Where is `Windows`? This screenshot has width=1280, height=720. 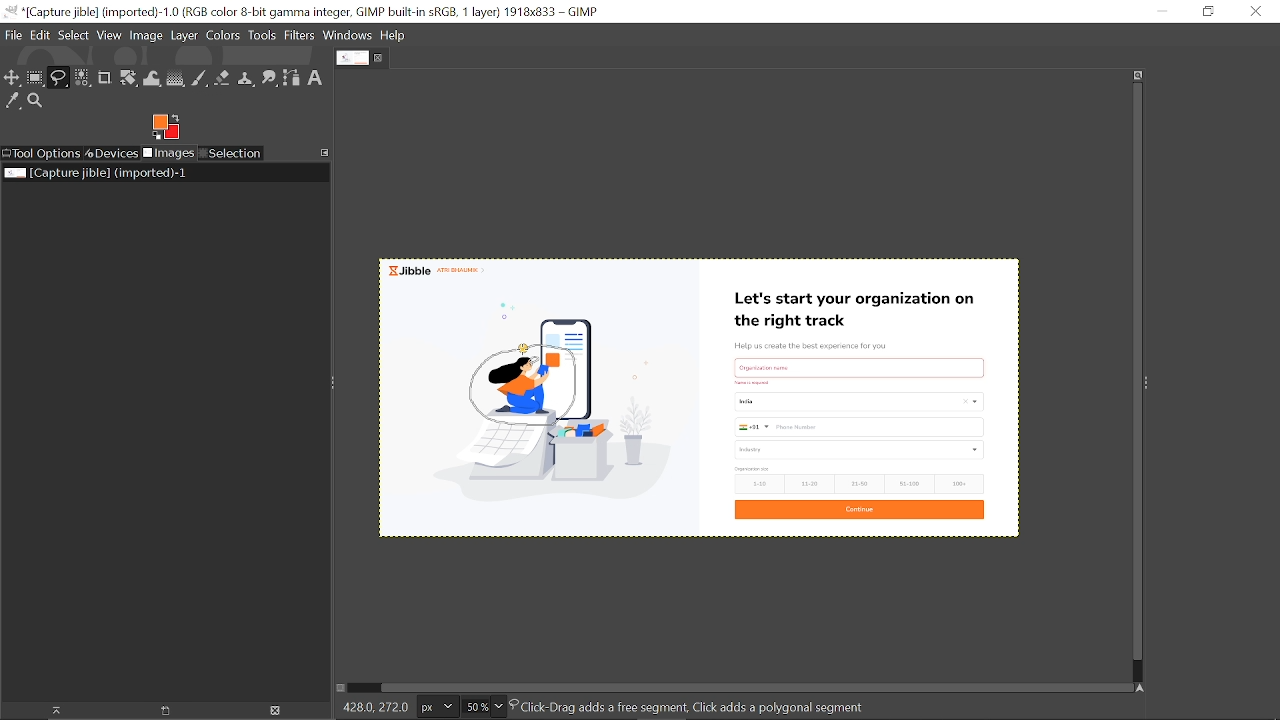 Windows is located at coordinates (349, 37).